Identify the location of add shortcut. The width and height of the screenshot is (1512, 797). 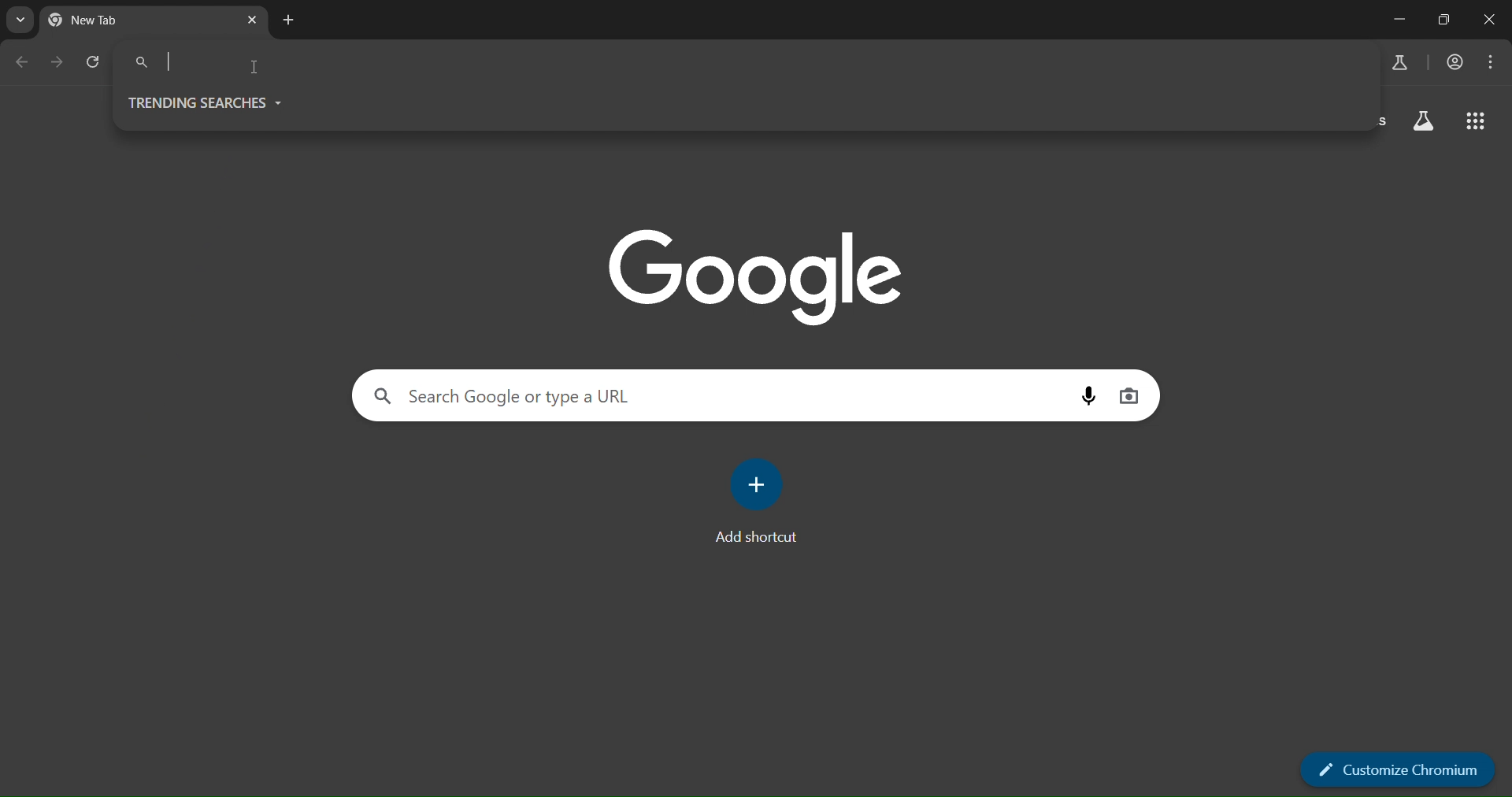
(754, 502).